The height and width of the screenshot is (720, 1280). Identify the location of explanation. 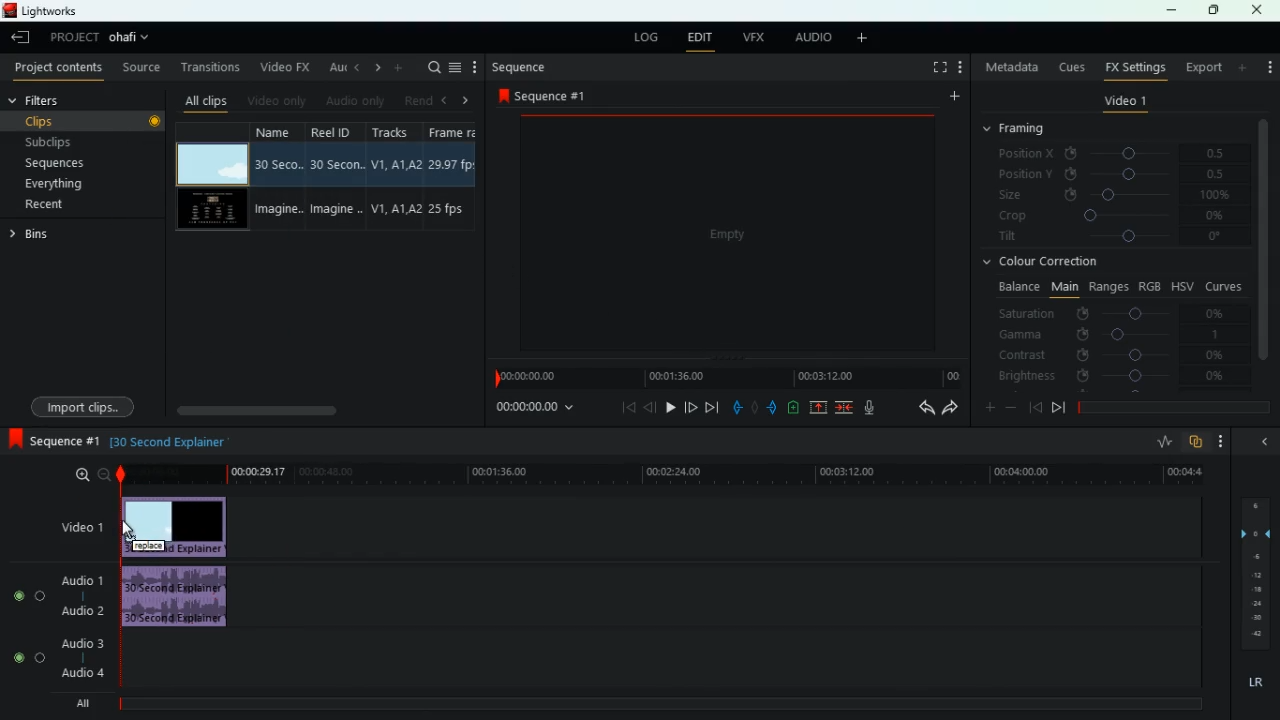
(175, 441).